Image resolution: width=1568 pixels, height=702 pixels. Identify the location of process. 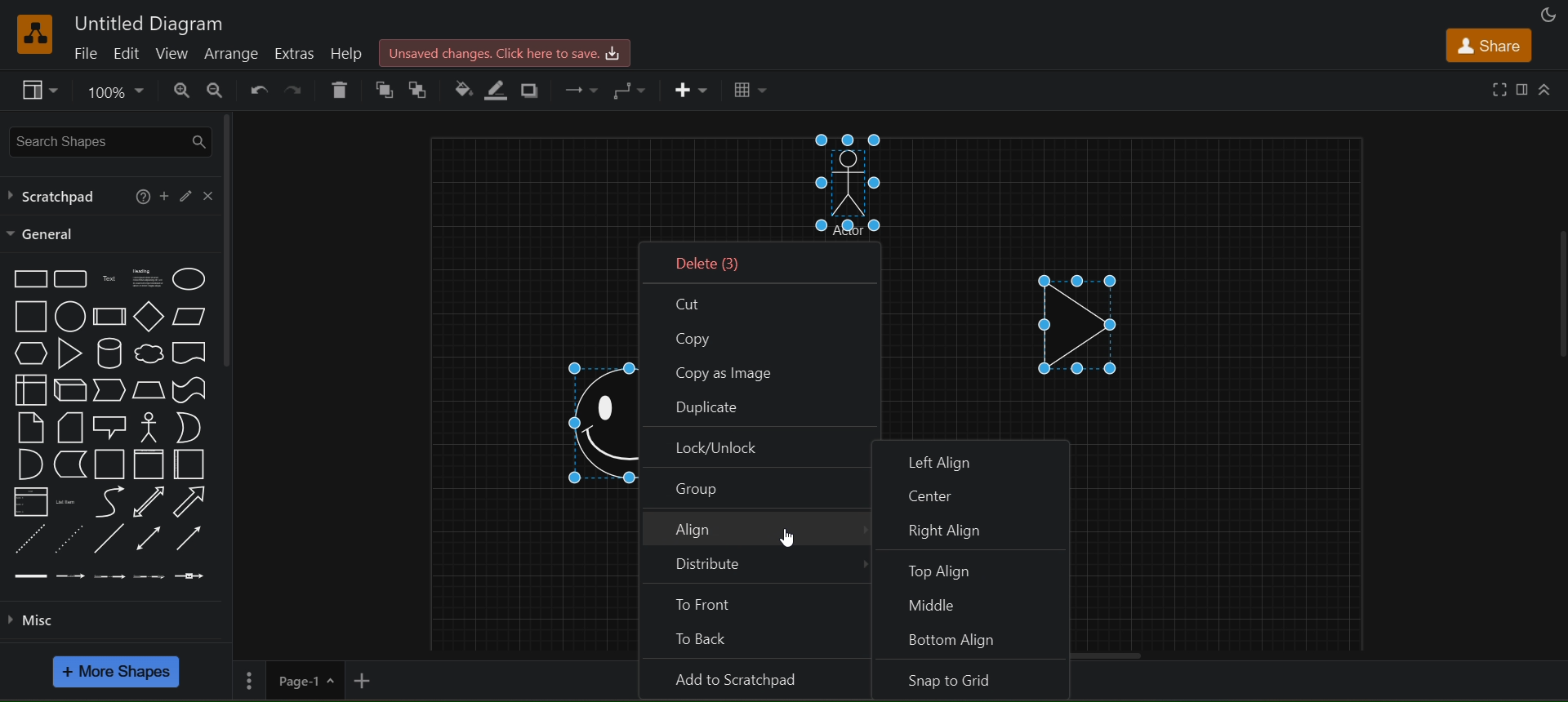
(106, 317).